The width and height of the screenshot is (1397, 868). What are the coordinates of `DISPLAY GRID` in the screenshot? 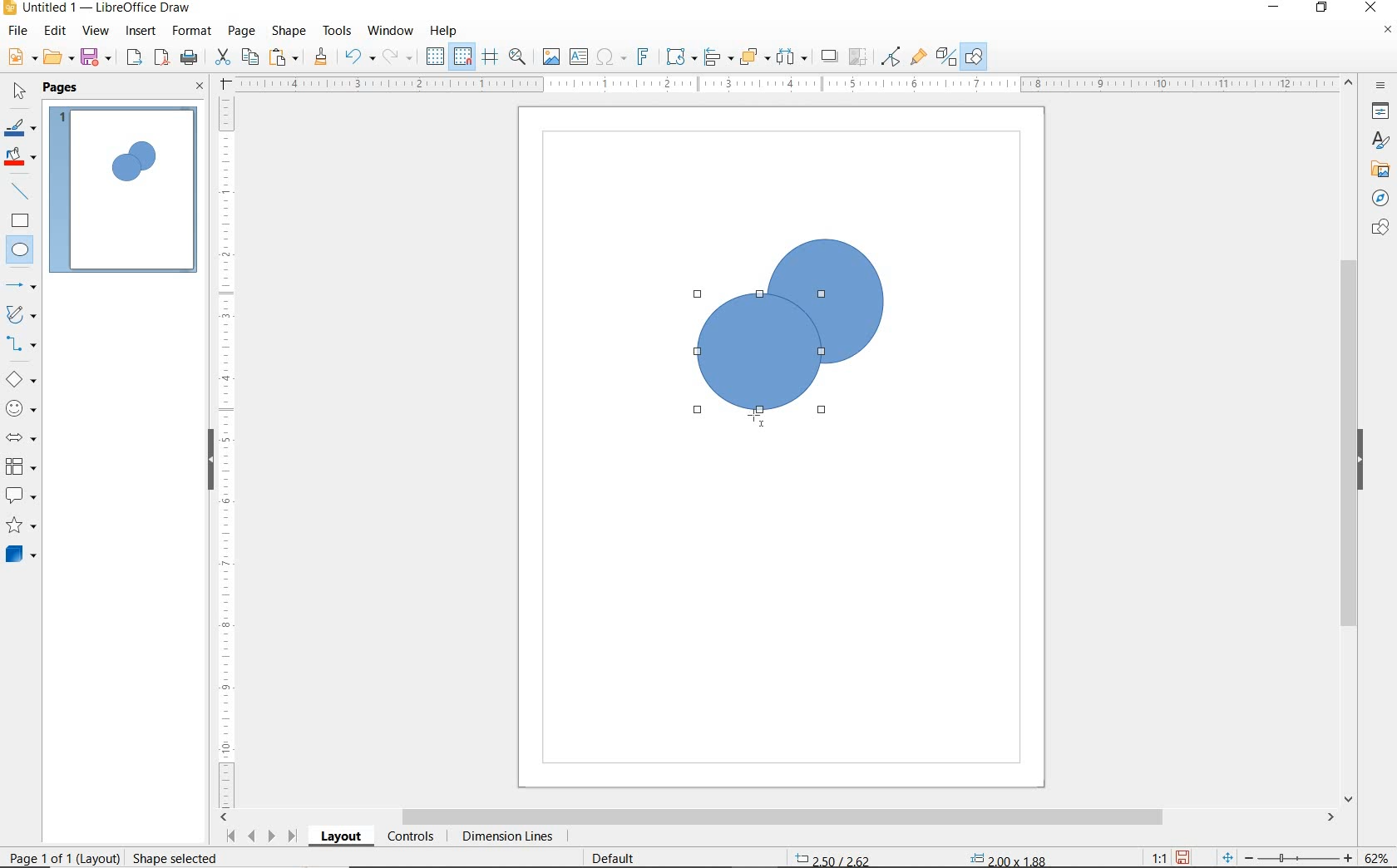 It's located at (437, 57).